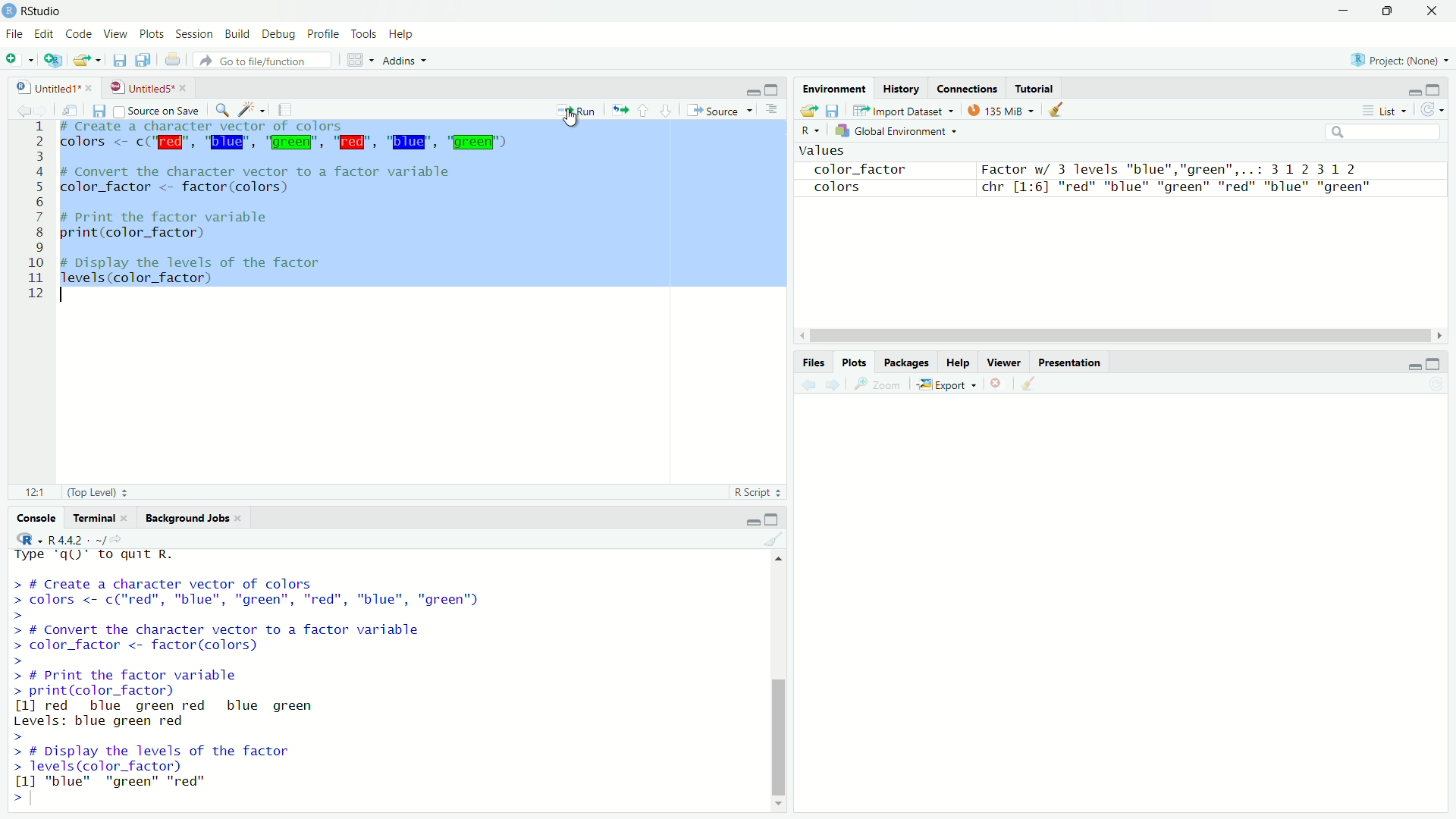 The image size is (1456, 819). What do you see at coordinates (836, 87) in the screenshot?
I see `Environment` at bounding box center [836, 87].